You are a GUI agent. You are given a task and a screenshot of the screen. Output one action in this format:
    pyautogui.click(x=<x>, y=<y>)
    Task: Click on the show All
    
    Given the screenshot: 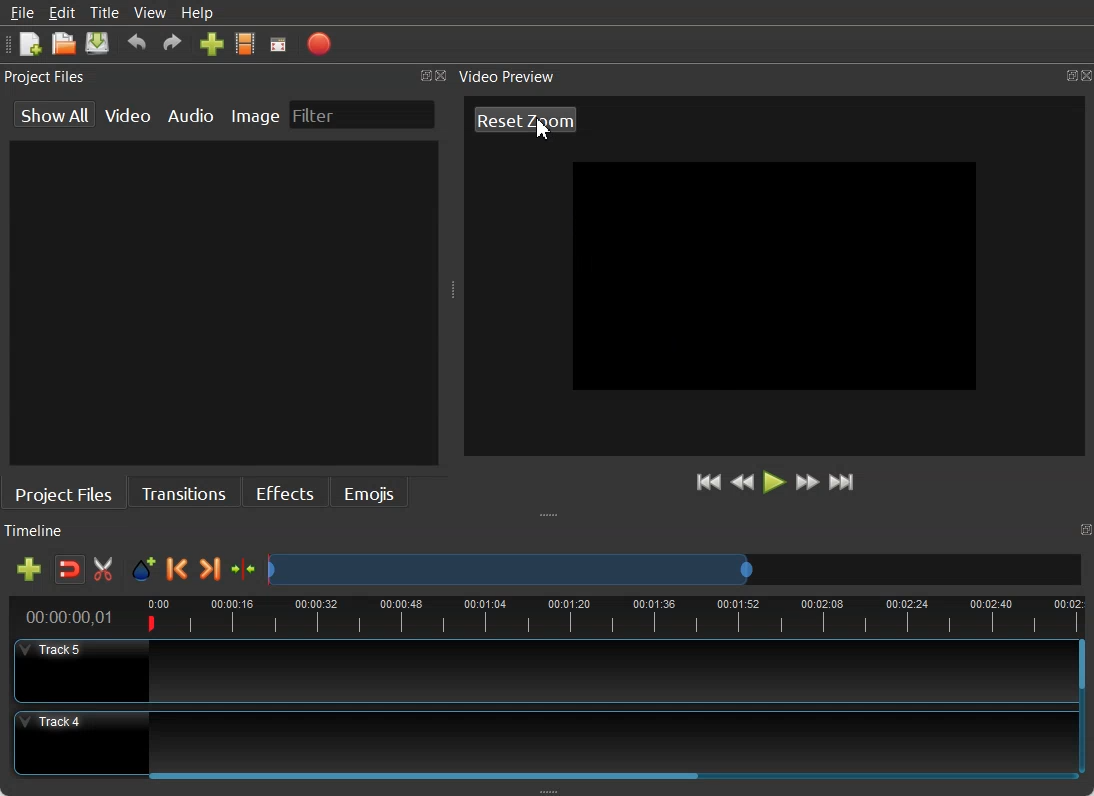 What is the action you would take?
    pyautogui.click(x=55, y=115)
    